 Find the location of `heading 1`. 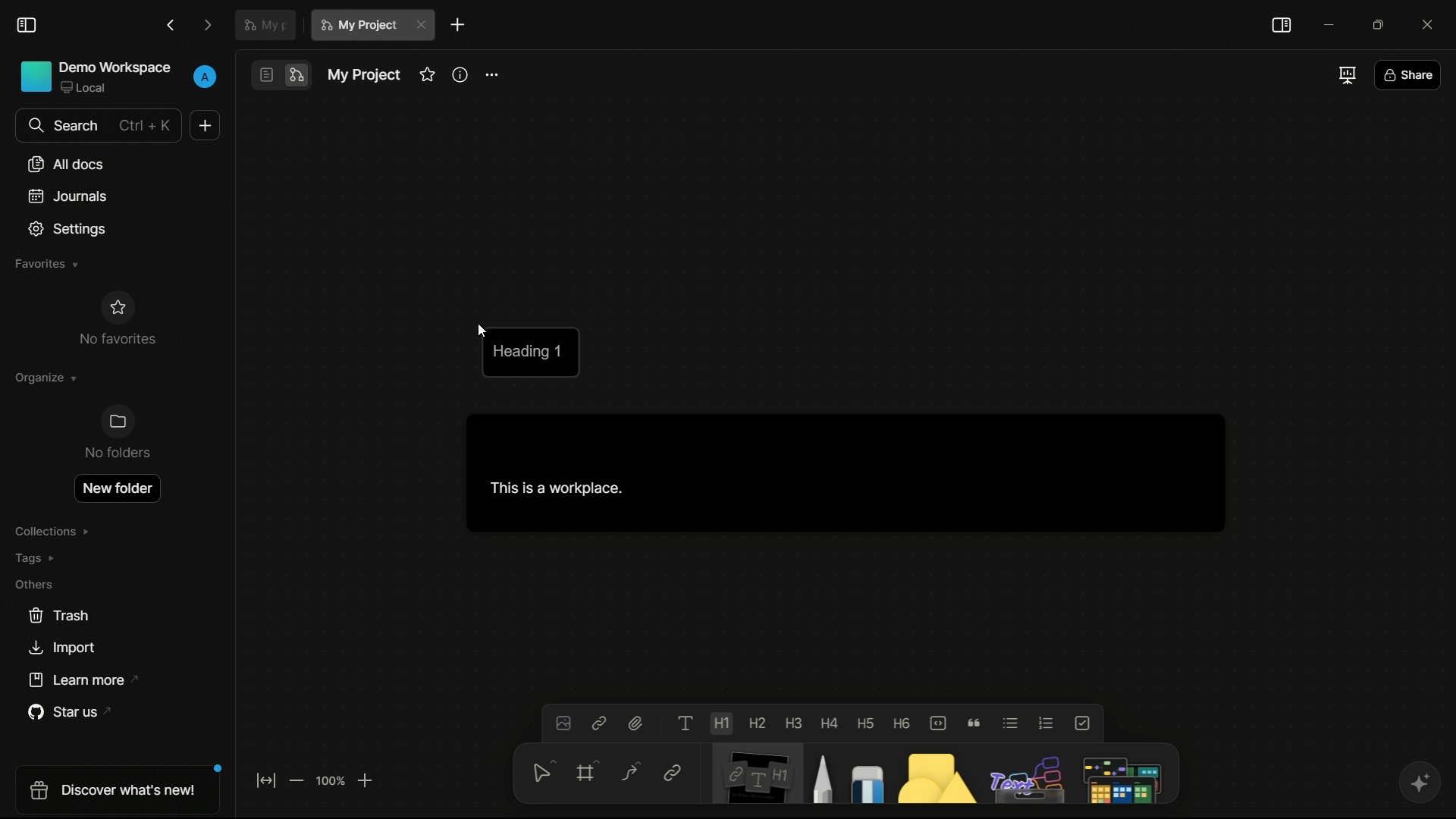

heading 1 is located at coordinates (532, 351).